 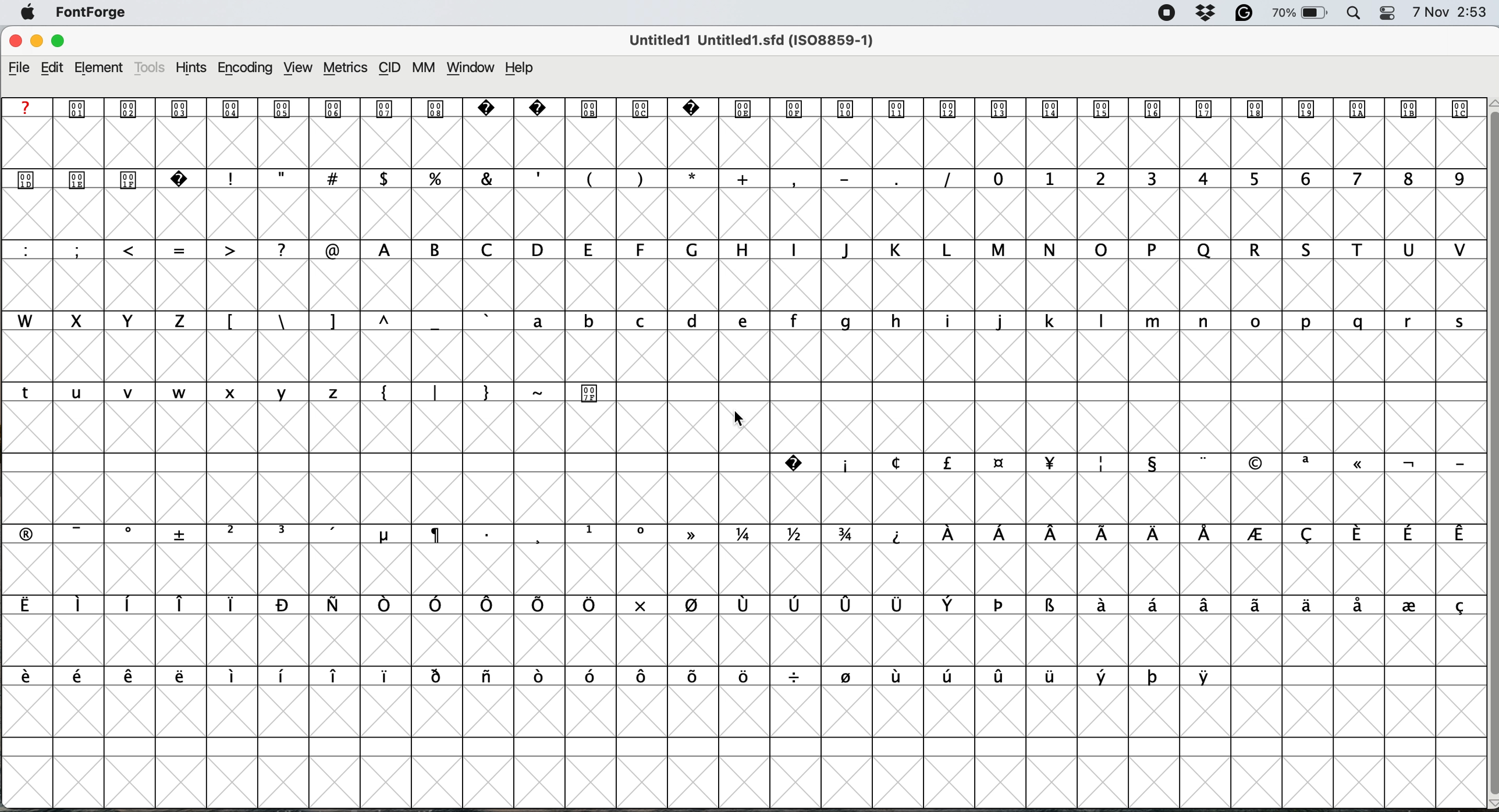 I want to click on dropbox, so click(x=1208, y=13).